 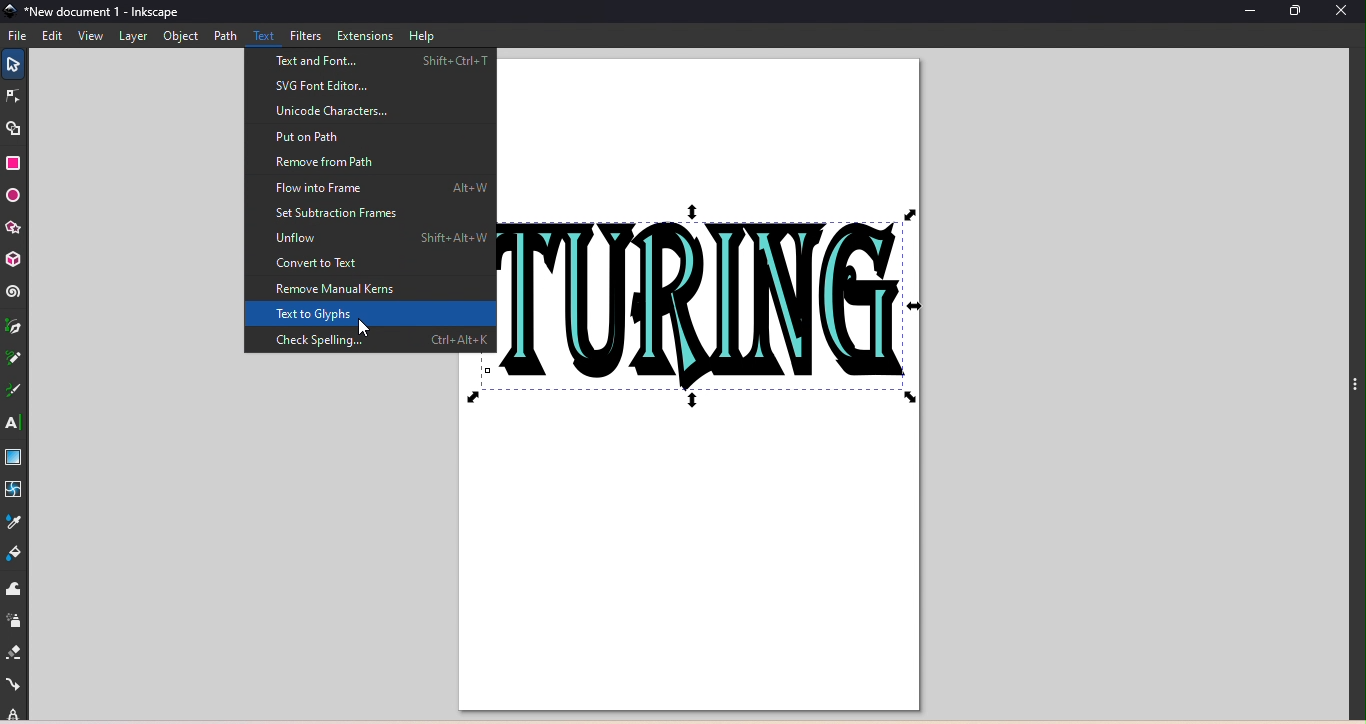 What do you see at coordinates (363, 35) in the screenshot?
I see `Extensions` at bounding box center [363, 35].